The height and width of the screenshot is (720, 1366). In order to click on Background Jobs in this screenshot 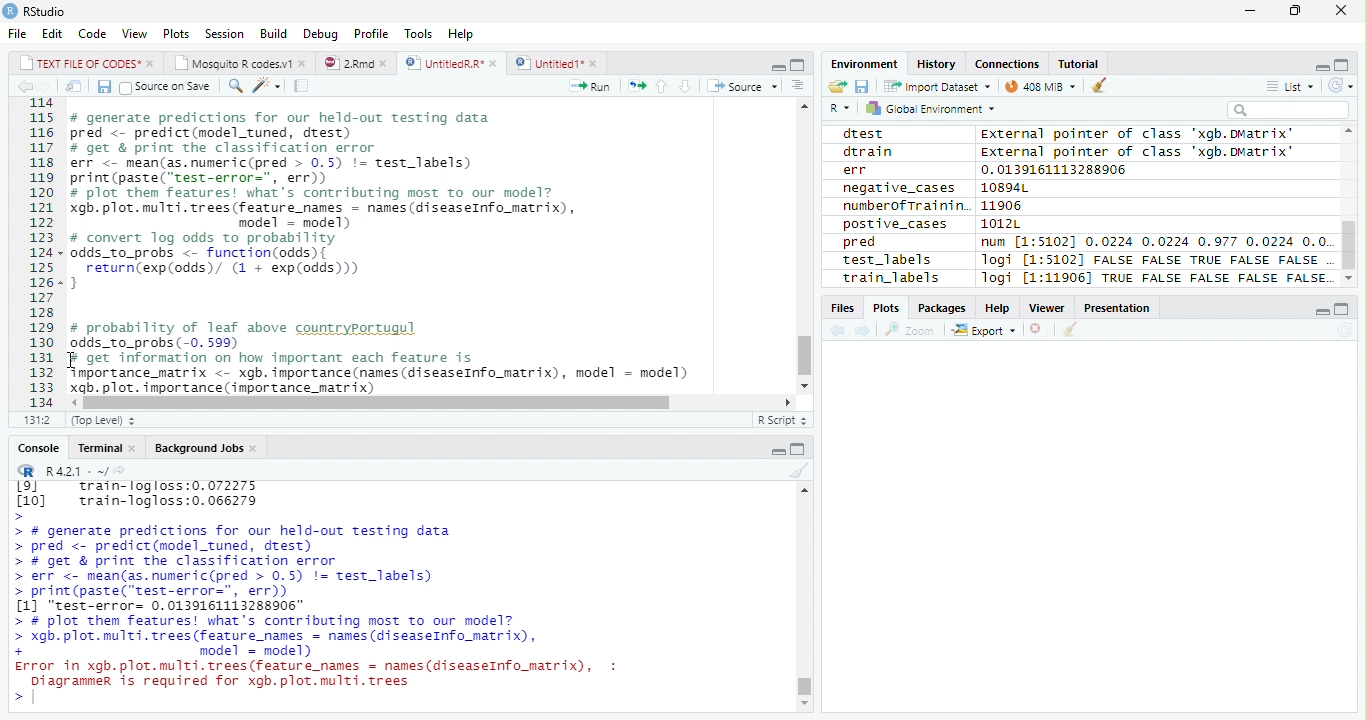, I will do `click(206, 447)`.